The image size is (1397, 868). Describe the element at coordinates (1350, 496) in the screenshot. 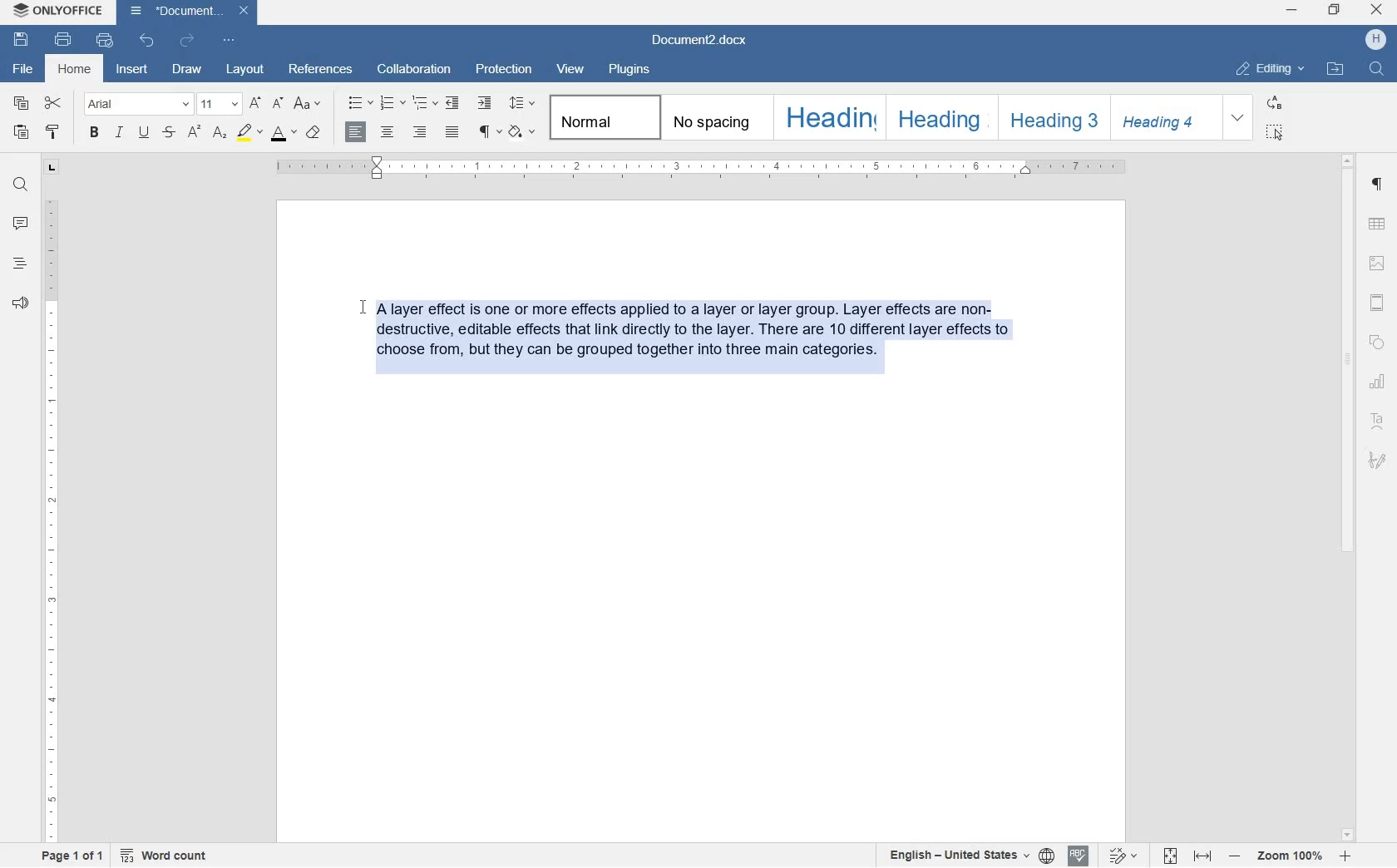

I see `scrollbar` at that location.